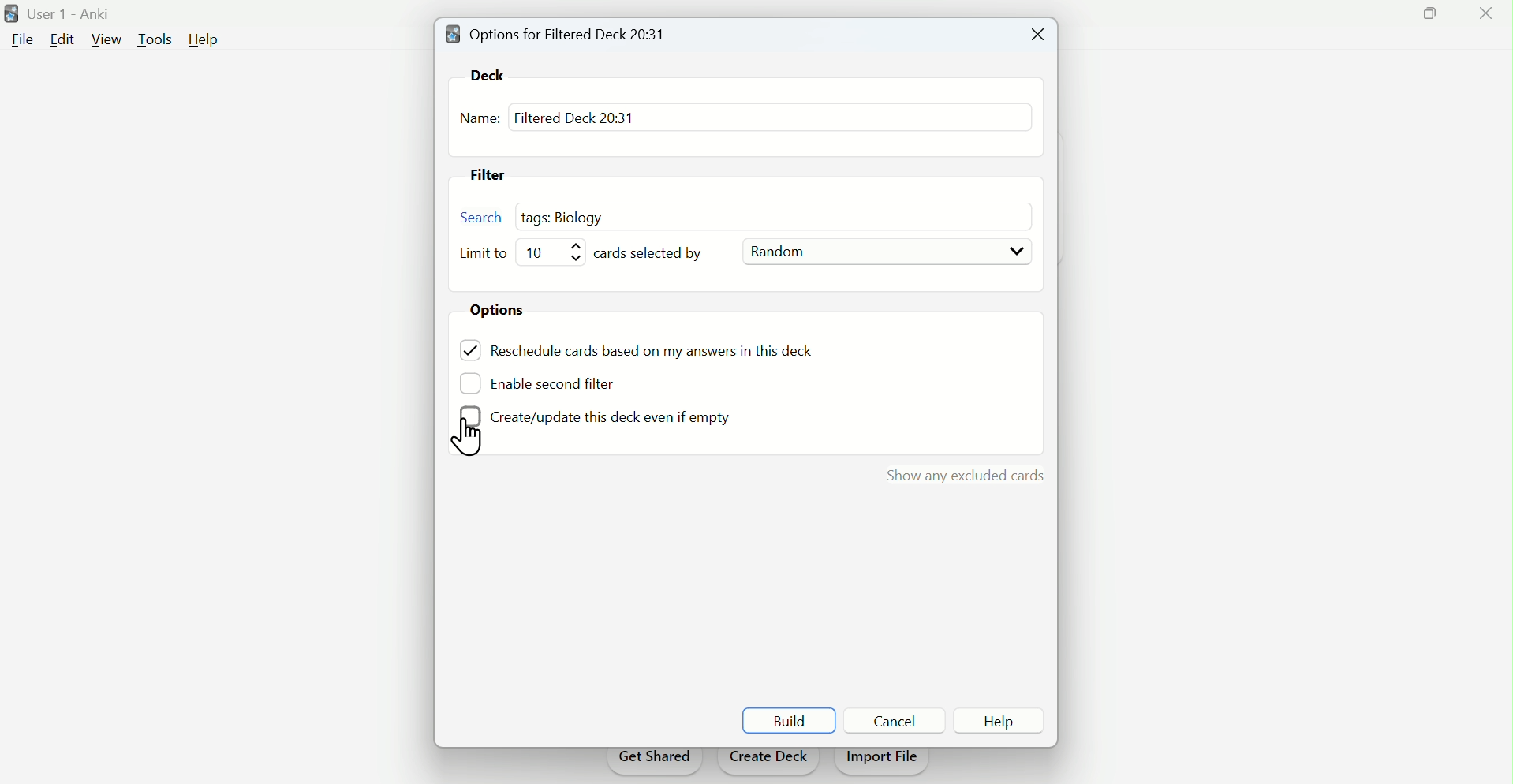 The width and height of the screenshot is (1513, 784). Describe the element at coordinates (884, 762) in the screenshot. I see `Import file` at that location.